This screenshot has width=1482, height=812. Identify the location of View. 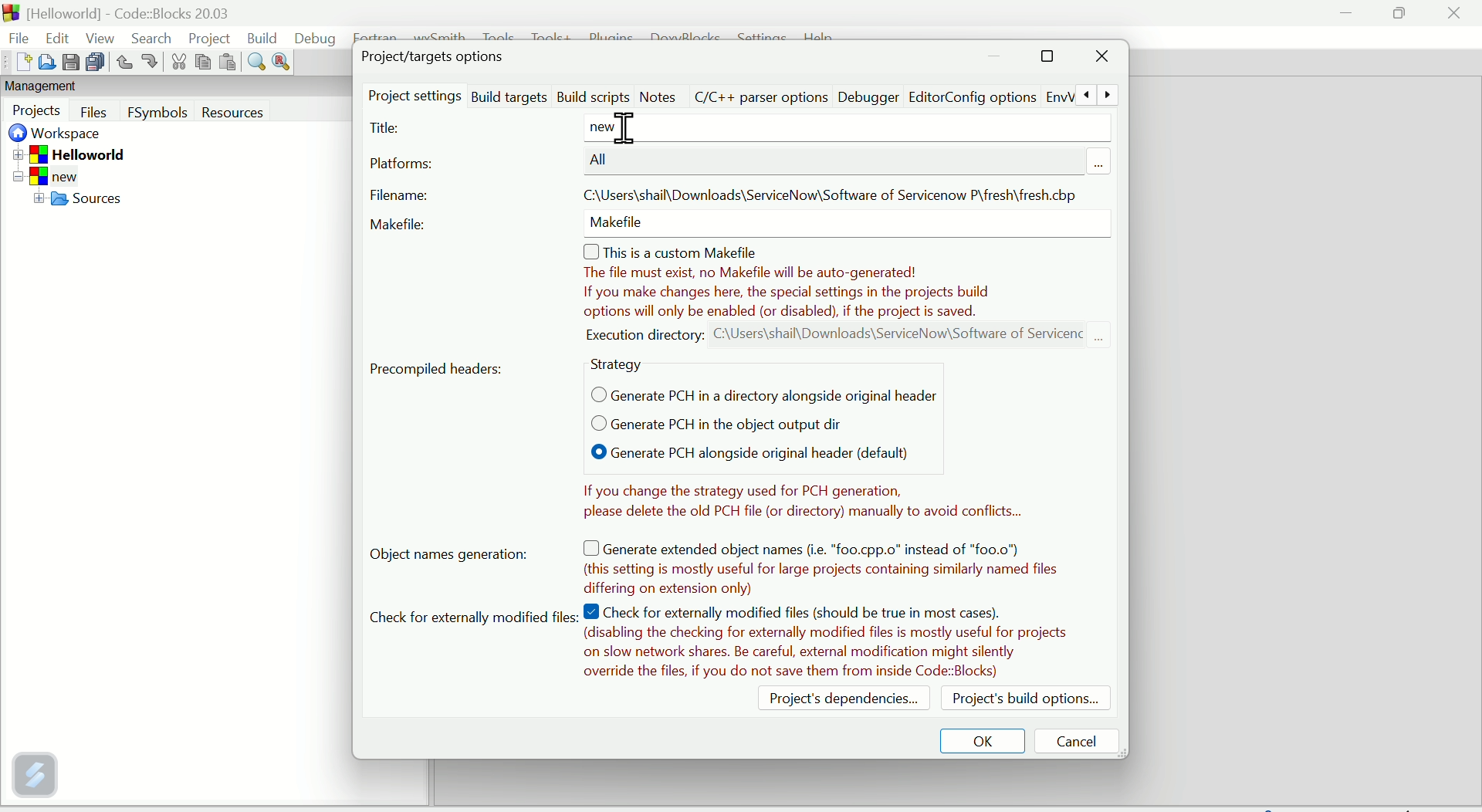
(97, 37).